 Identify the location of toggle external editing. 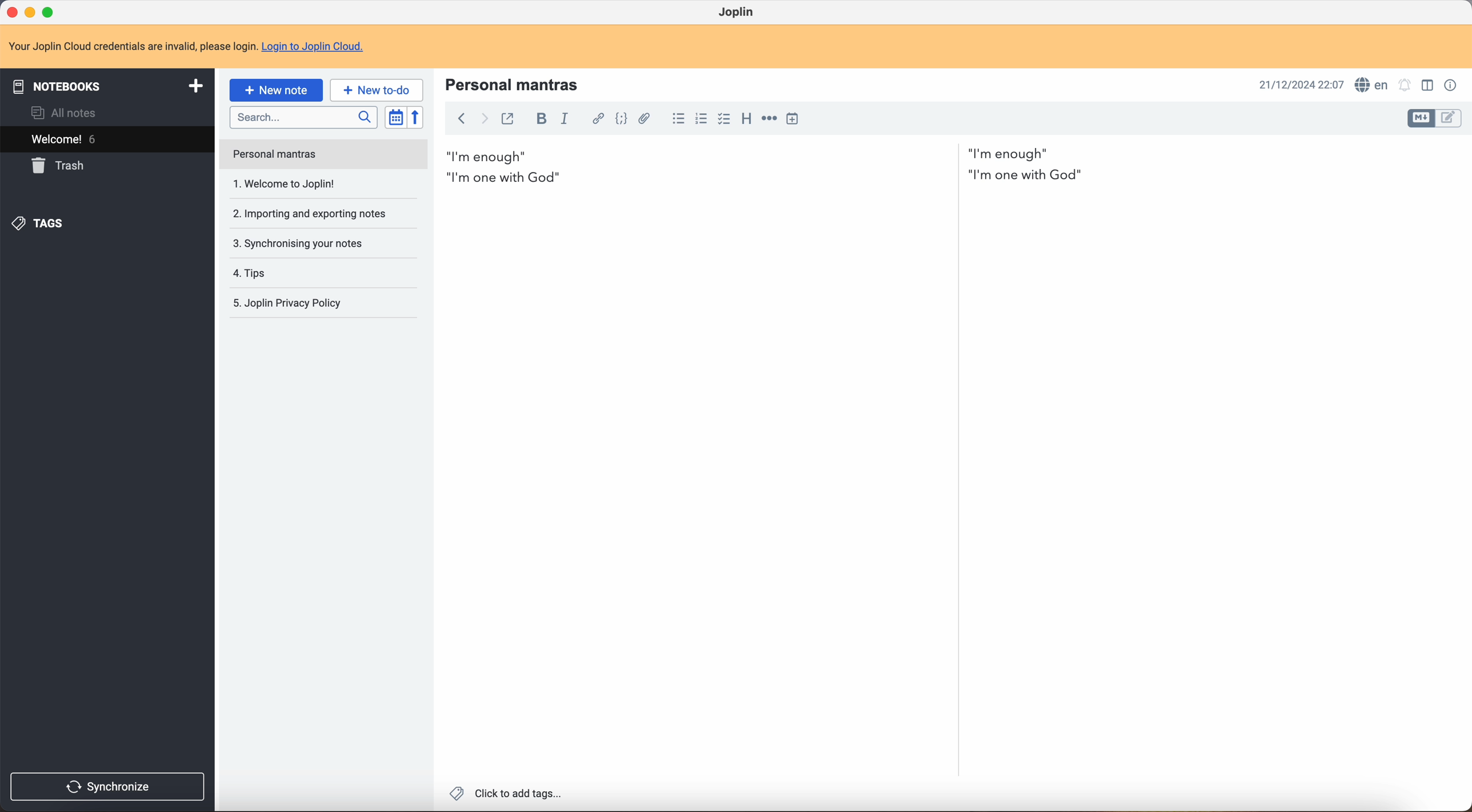
(507, 118).